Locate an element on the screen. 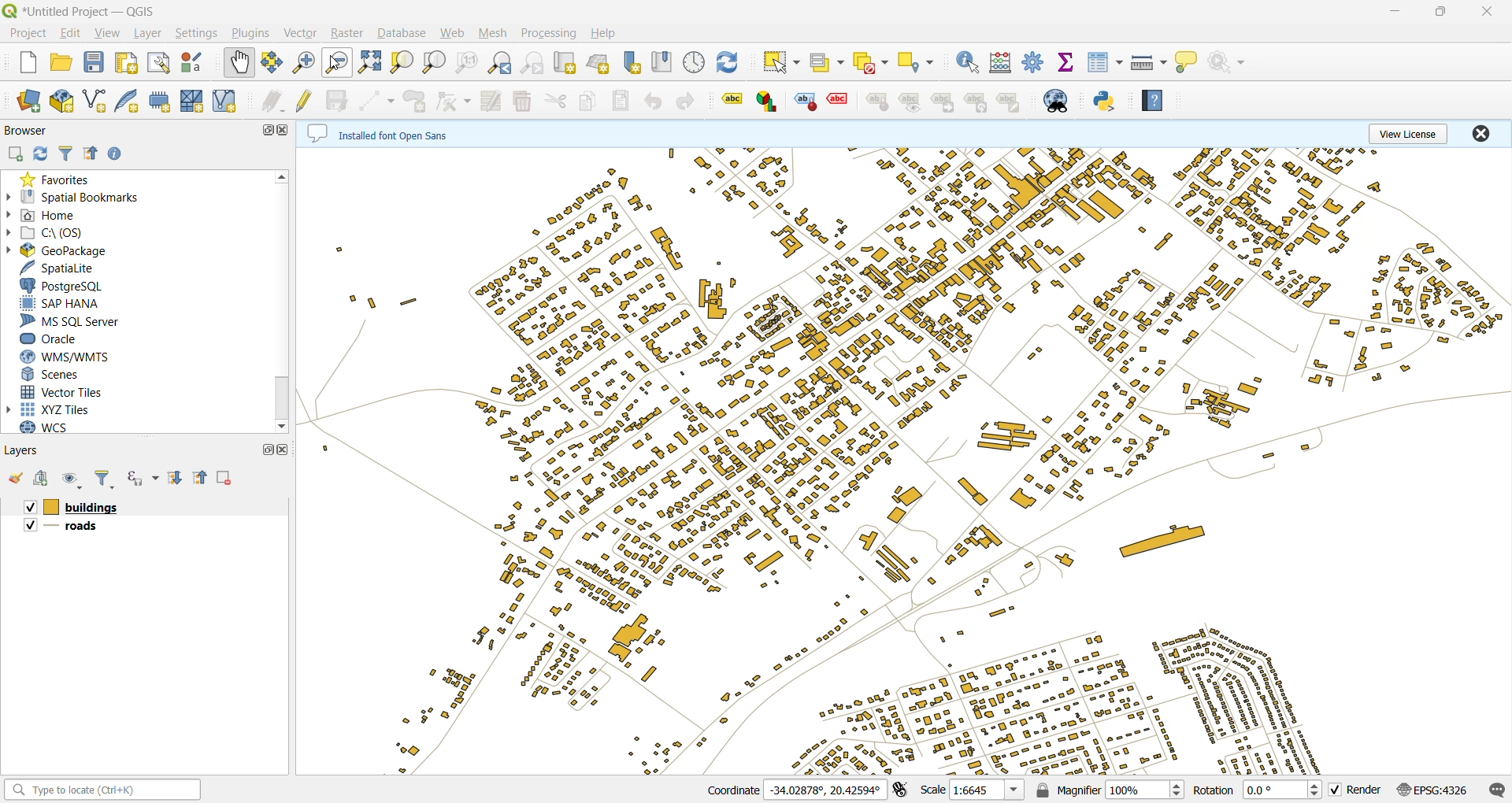 The image size is (1512, 803). vector is located at coordinates (303, 35).